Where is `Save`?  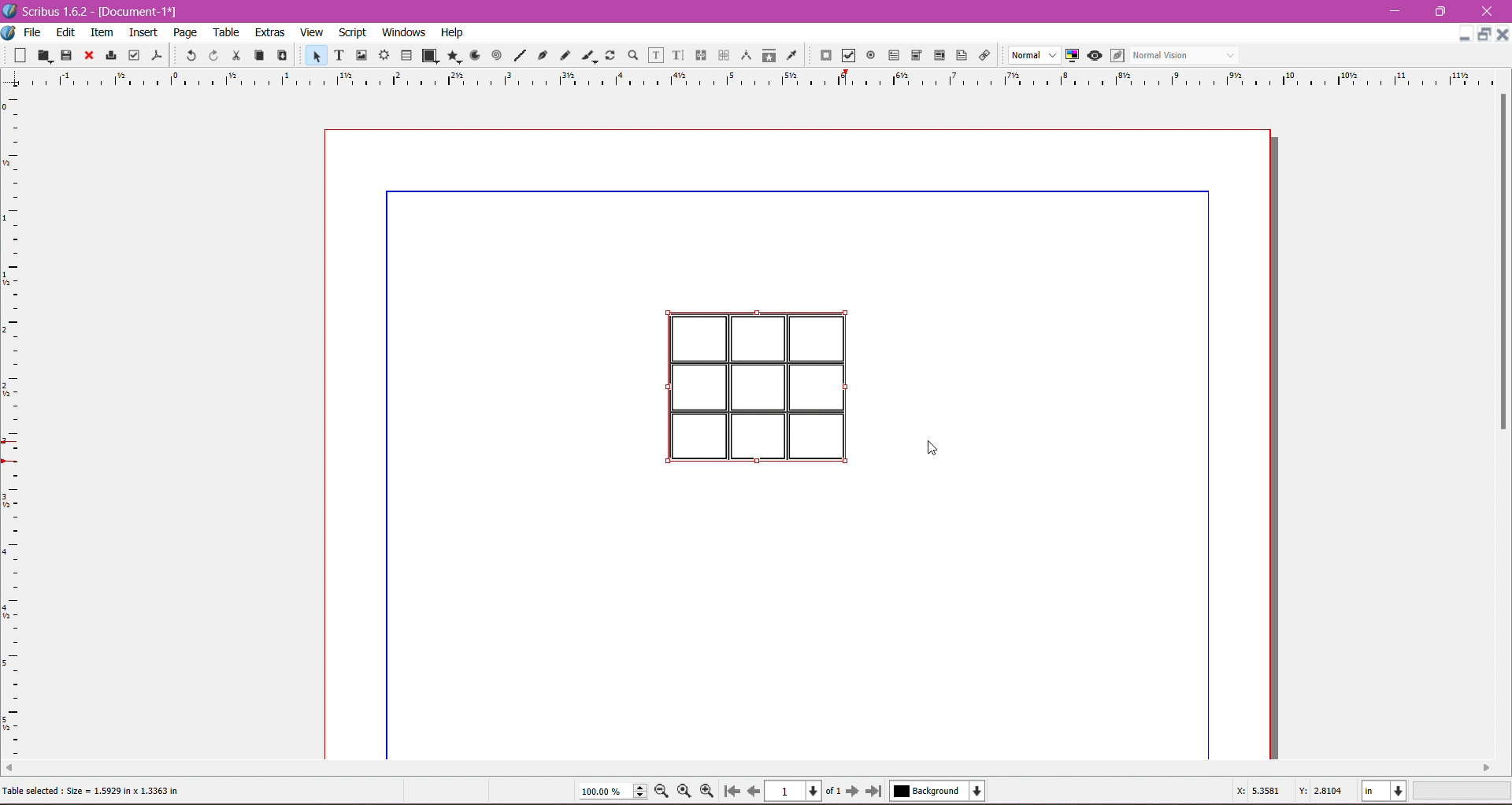
Save is located at coordinates (67, 54).